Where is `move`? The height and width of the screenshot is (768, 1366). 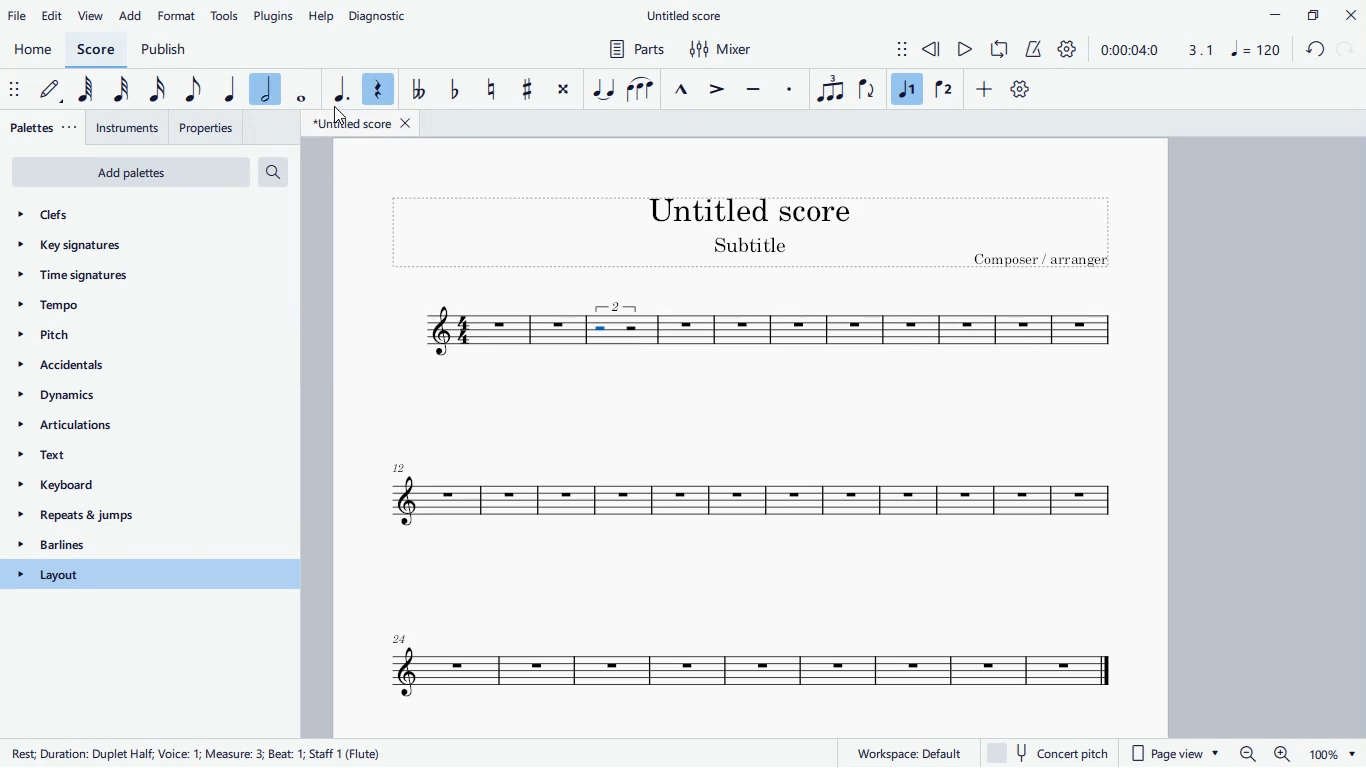 move is located at coordinates (13, 89).